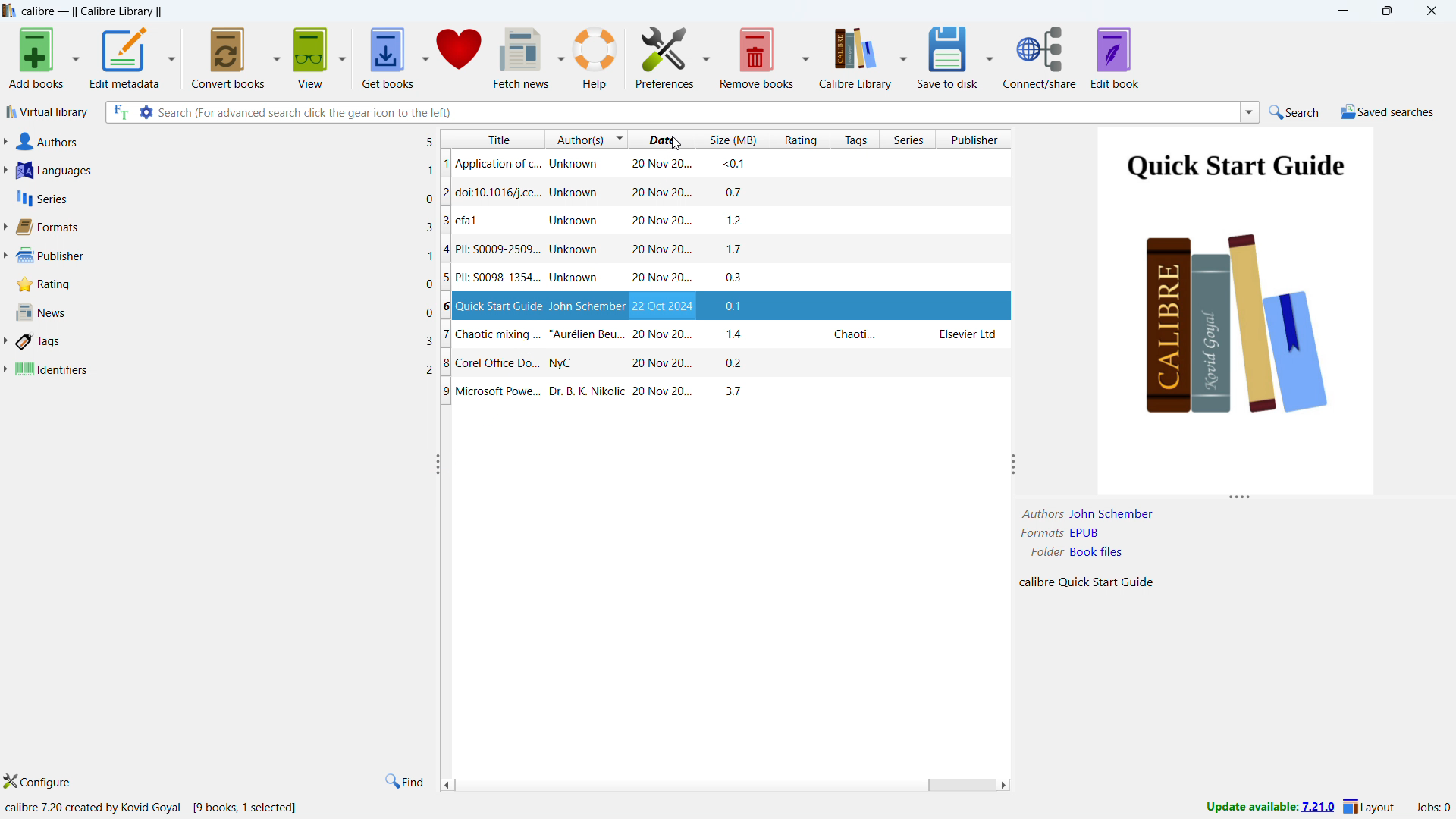 This screenshot has width=1456, height=819. Describe the element at coordinates (562, 364) in the screenshot. I see `NyC` at that location.